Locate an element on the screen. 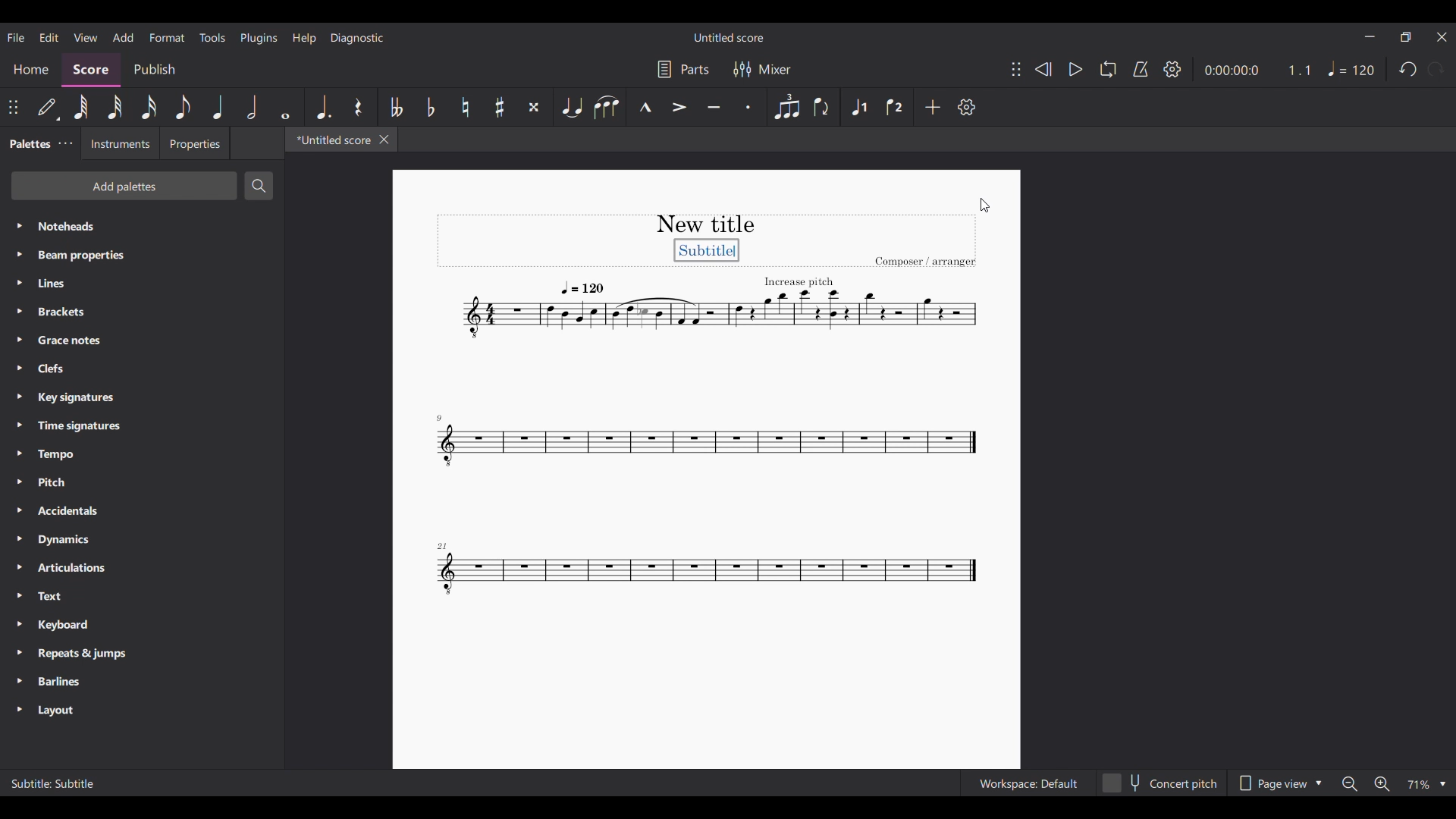 The height and width of the screenshot is (819, 1456). Tie is located at coordinates (571, 107).